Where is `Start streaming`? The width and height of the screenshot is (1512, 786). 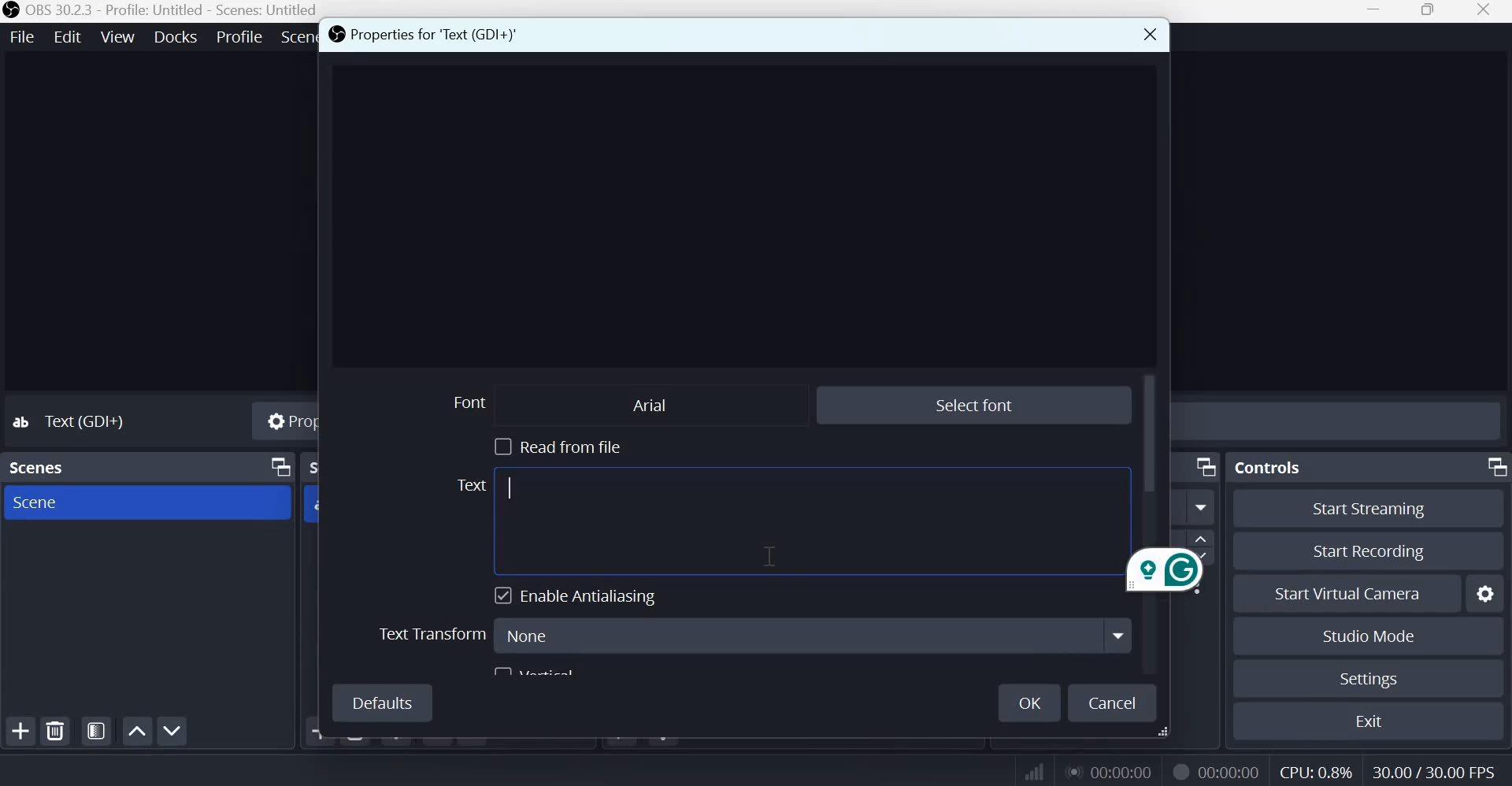 Start streaming is located at coordinates (1369, 509).